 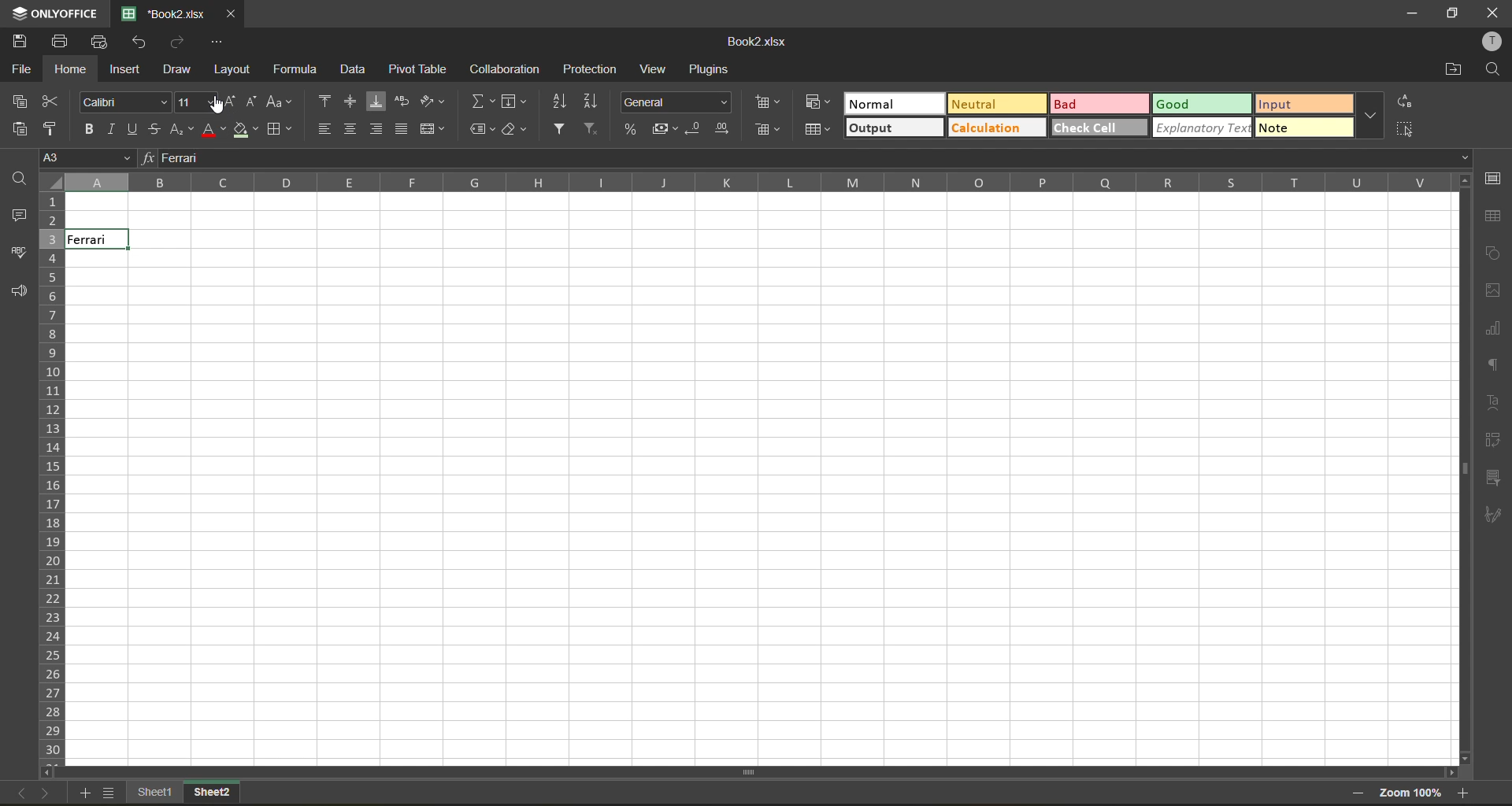 I want to click on profile, so click(x=1496, y=44).